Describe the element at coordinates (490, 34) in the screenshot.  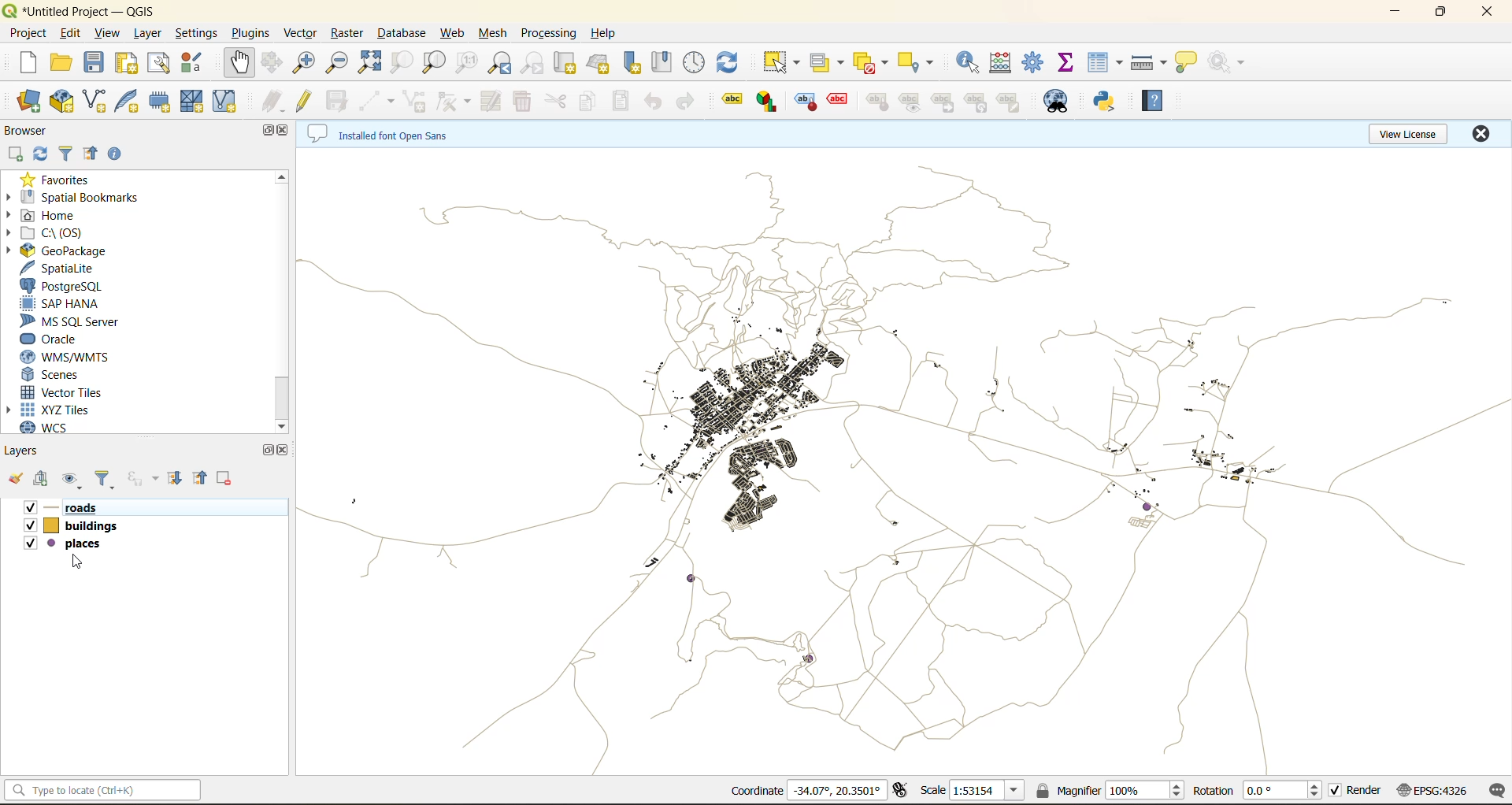
I see `mesh` at that location.